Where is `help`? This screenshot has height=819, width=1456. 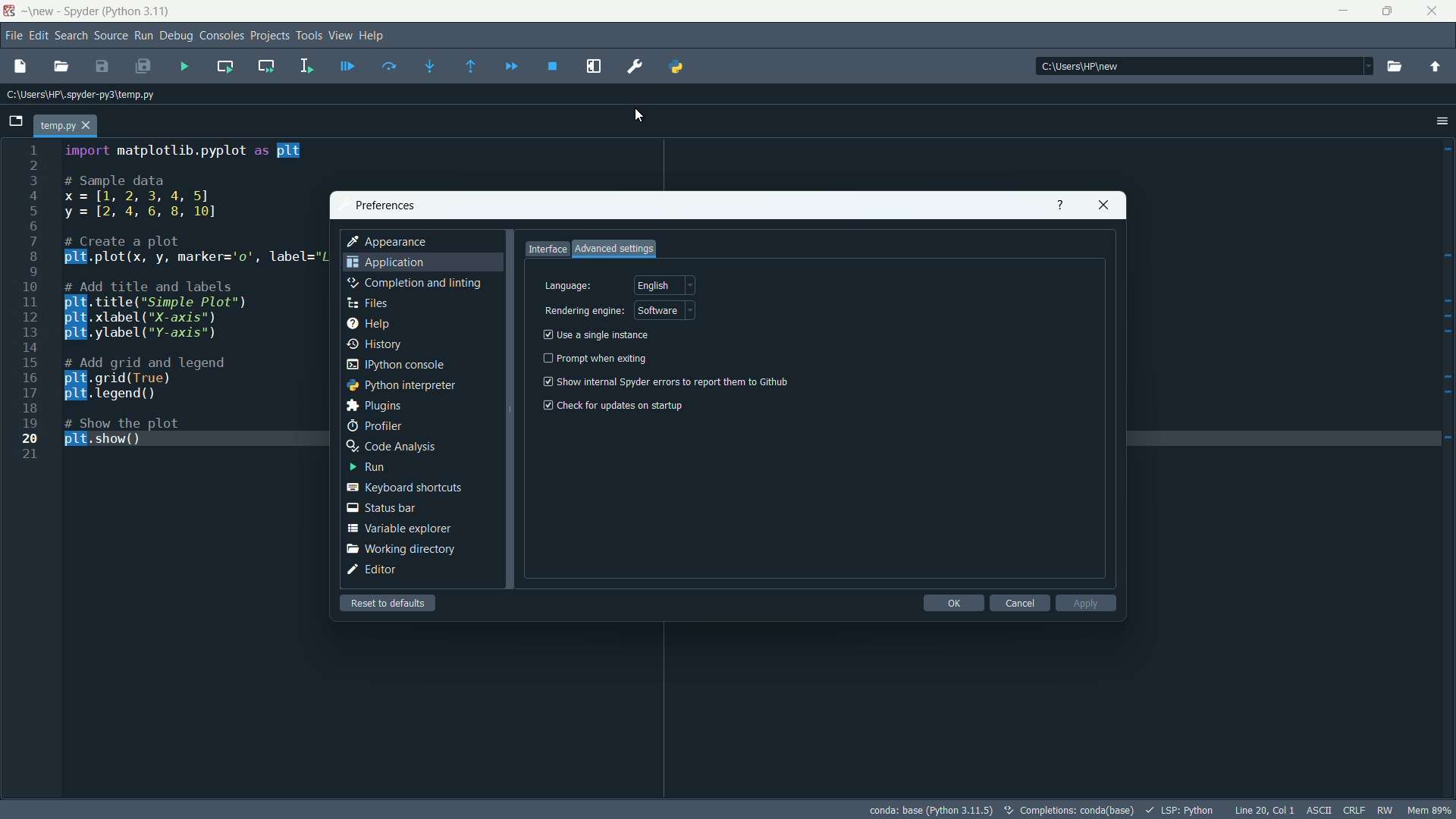
help is located at coordinates (368, 324).